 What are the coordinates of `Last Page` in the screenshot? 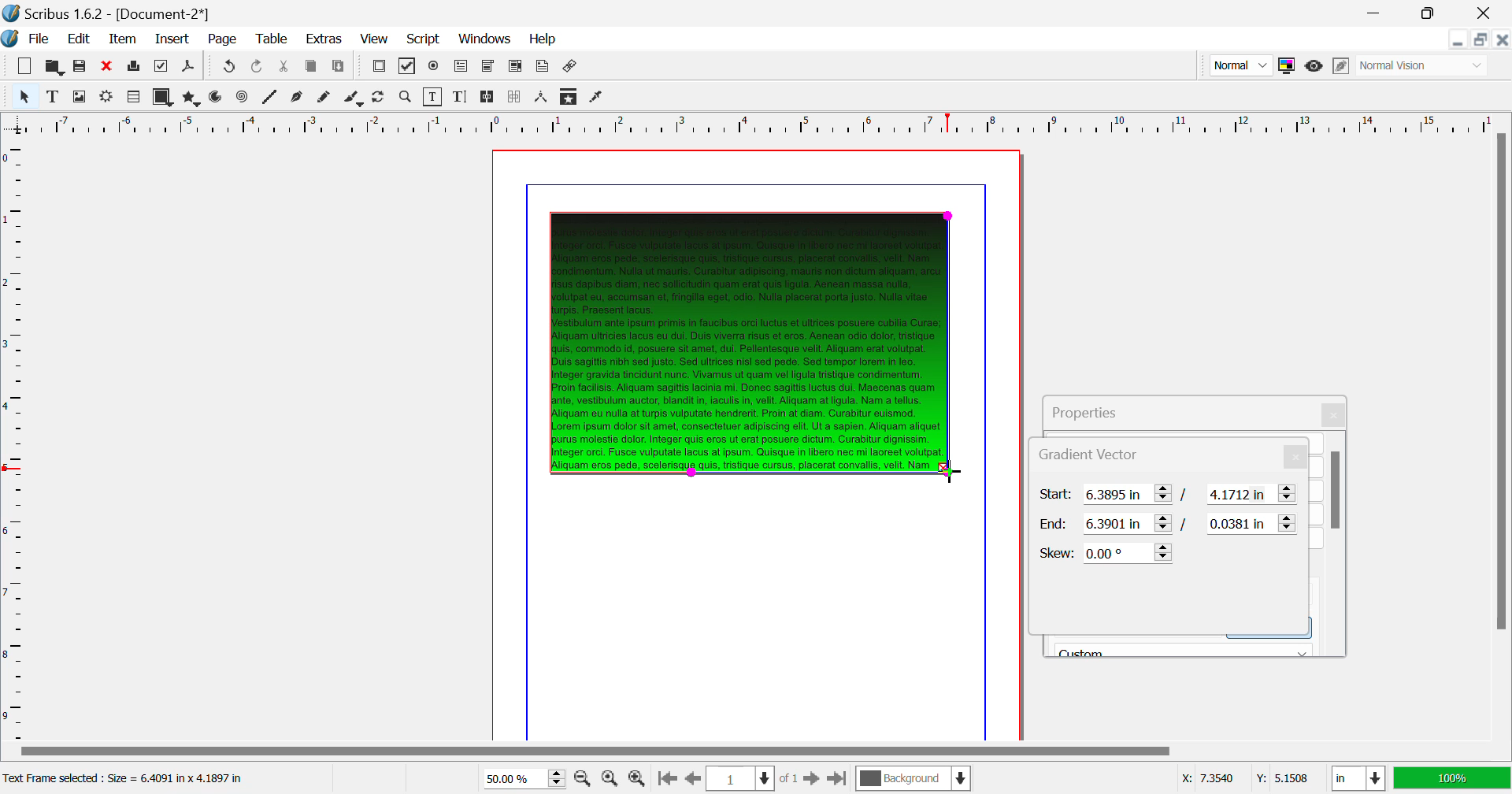 It's located at (836, 779).